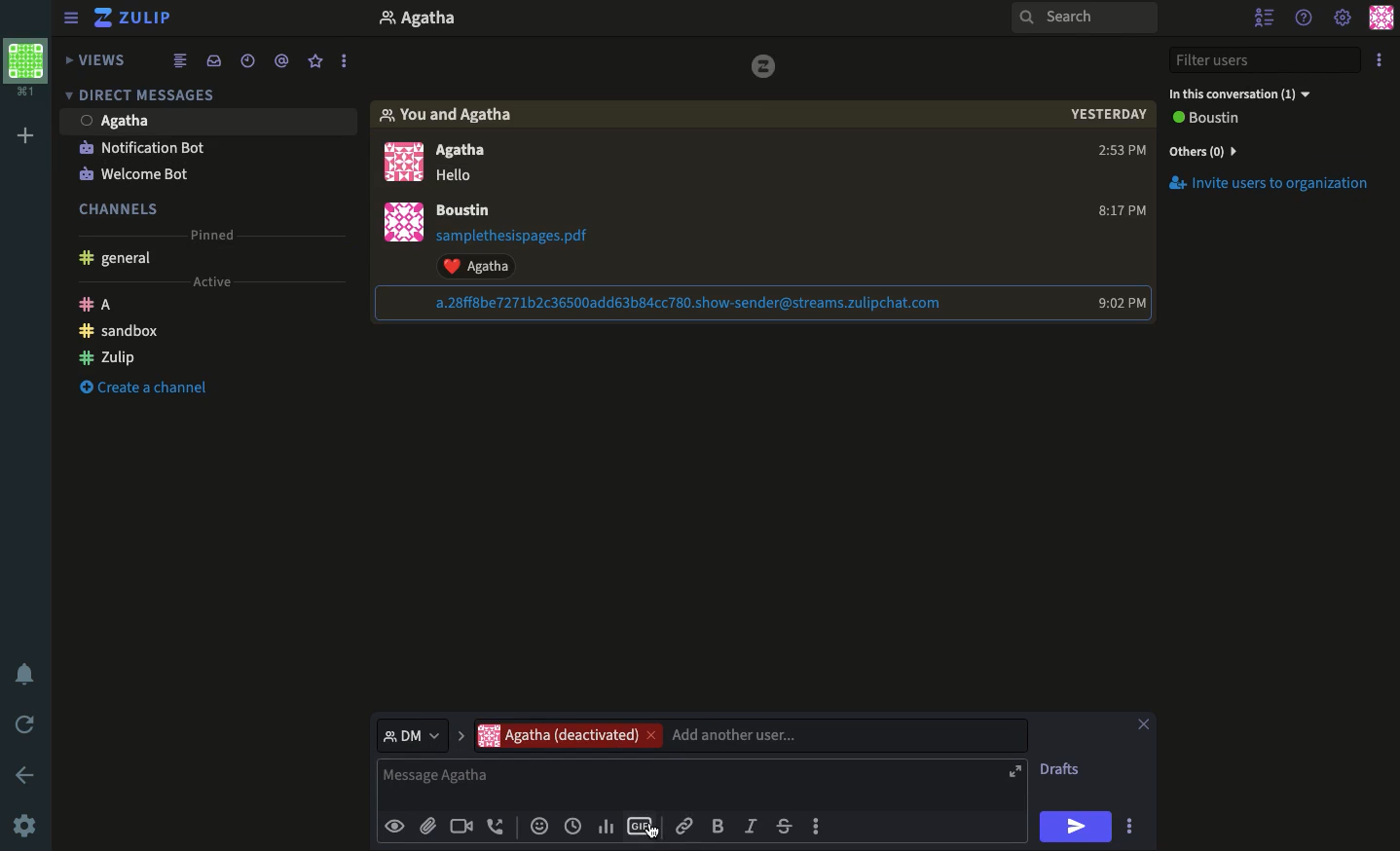 The height and width of the screenshot is (851, 1400). Describe the element at coordinates (143, 388) in the screenshot. I see `Create a channel` at that location.